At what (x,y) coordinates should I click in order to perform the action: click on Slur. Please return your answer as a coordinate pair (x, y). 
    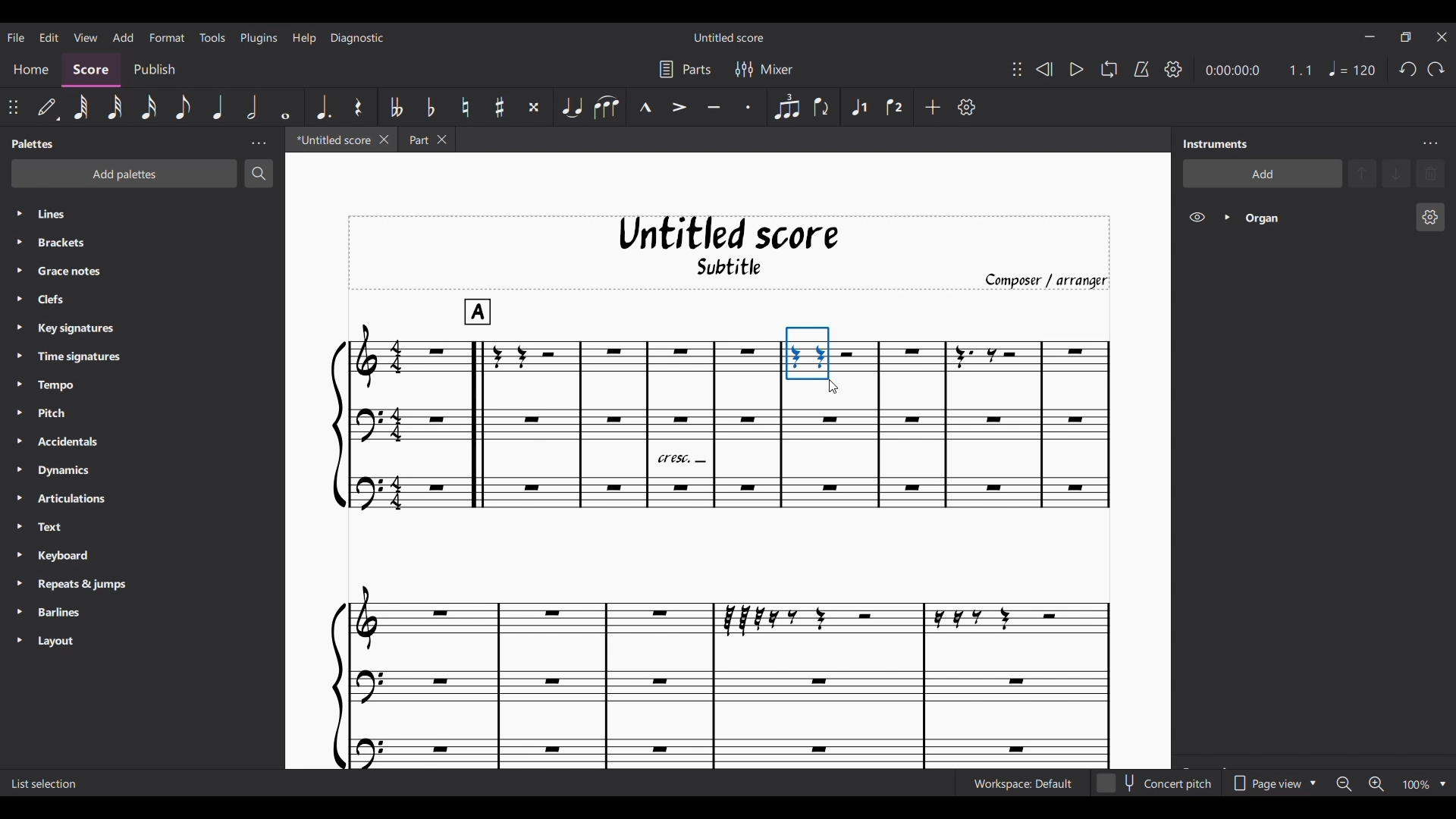
    Looking at the image, I should click on (605, 107).